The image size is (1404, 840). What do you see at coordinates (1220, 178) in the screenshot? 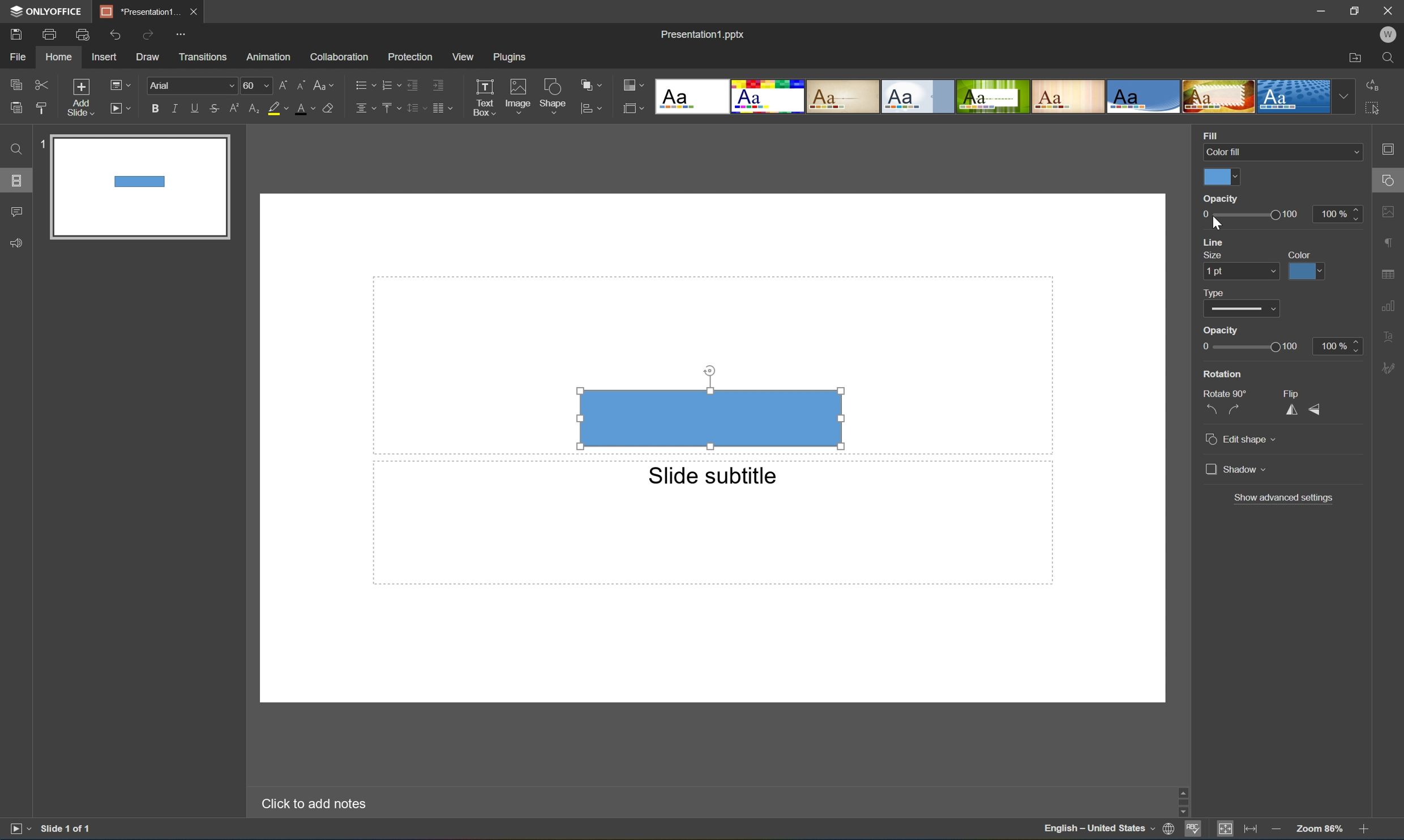
I see `Color` at bounding box center [1220, 178].